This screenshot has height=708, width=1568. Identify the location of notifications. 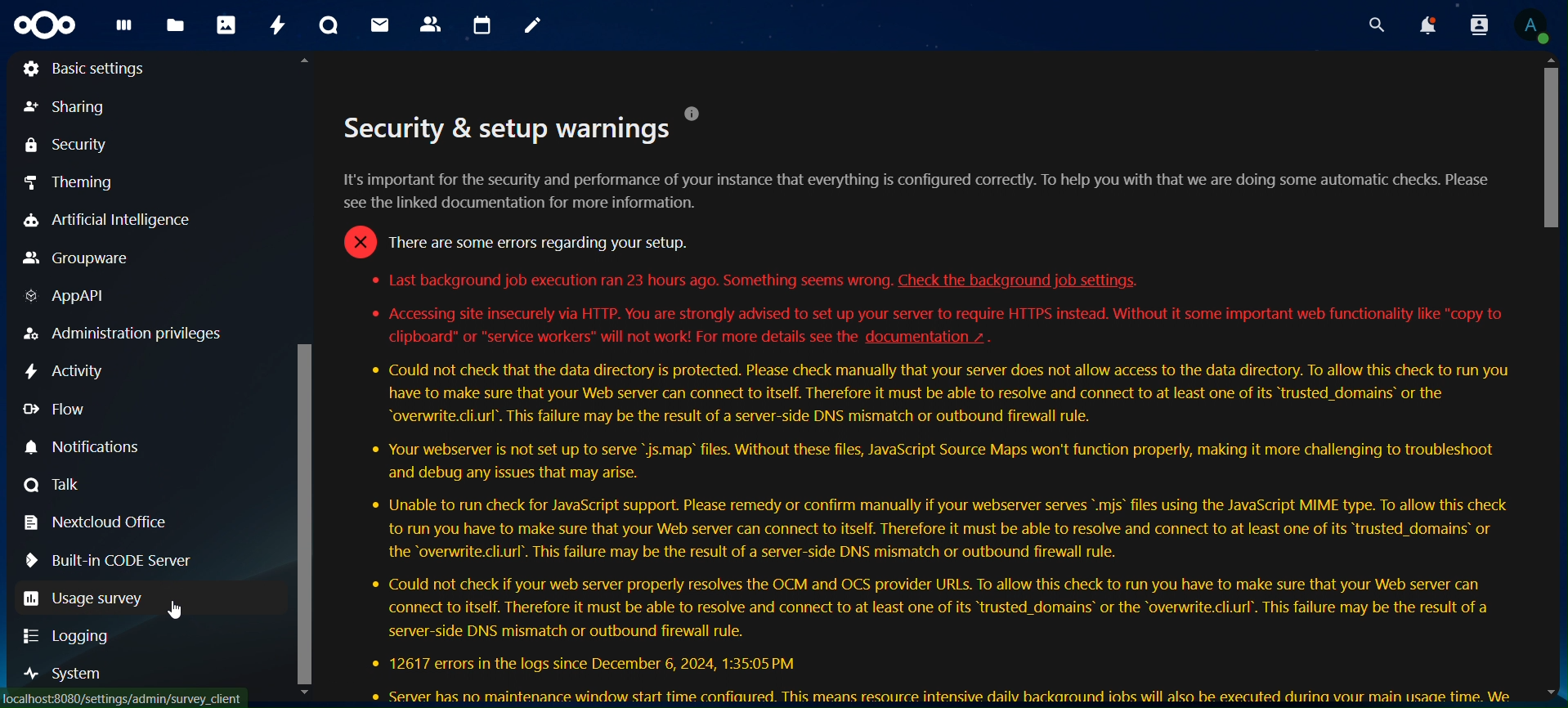
(107, 447).